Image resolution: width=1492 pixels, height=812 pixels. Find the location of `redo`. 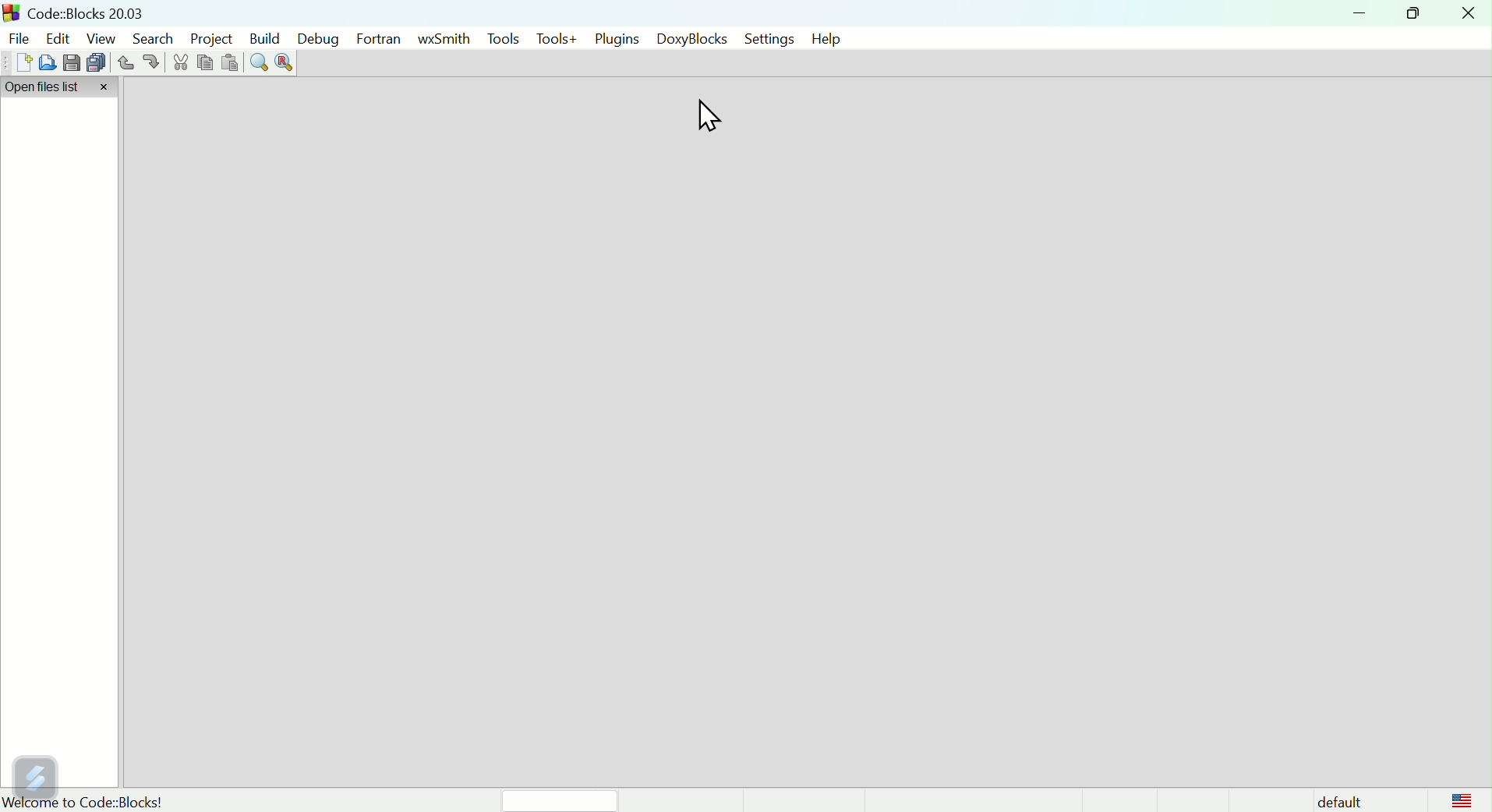

redo is located at coordinates (153, 62).